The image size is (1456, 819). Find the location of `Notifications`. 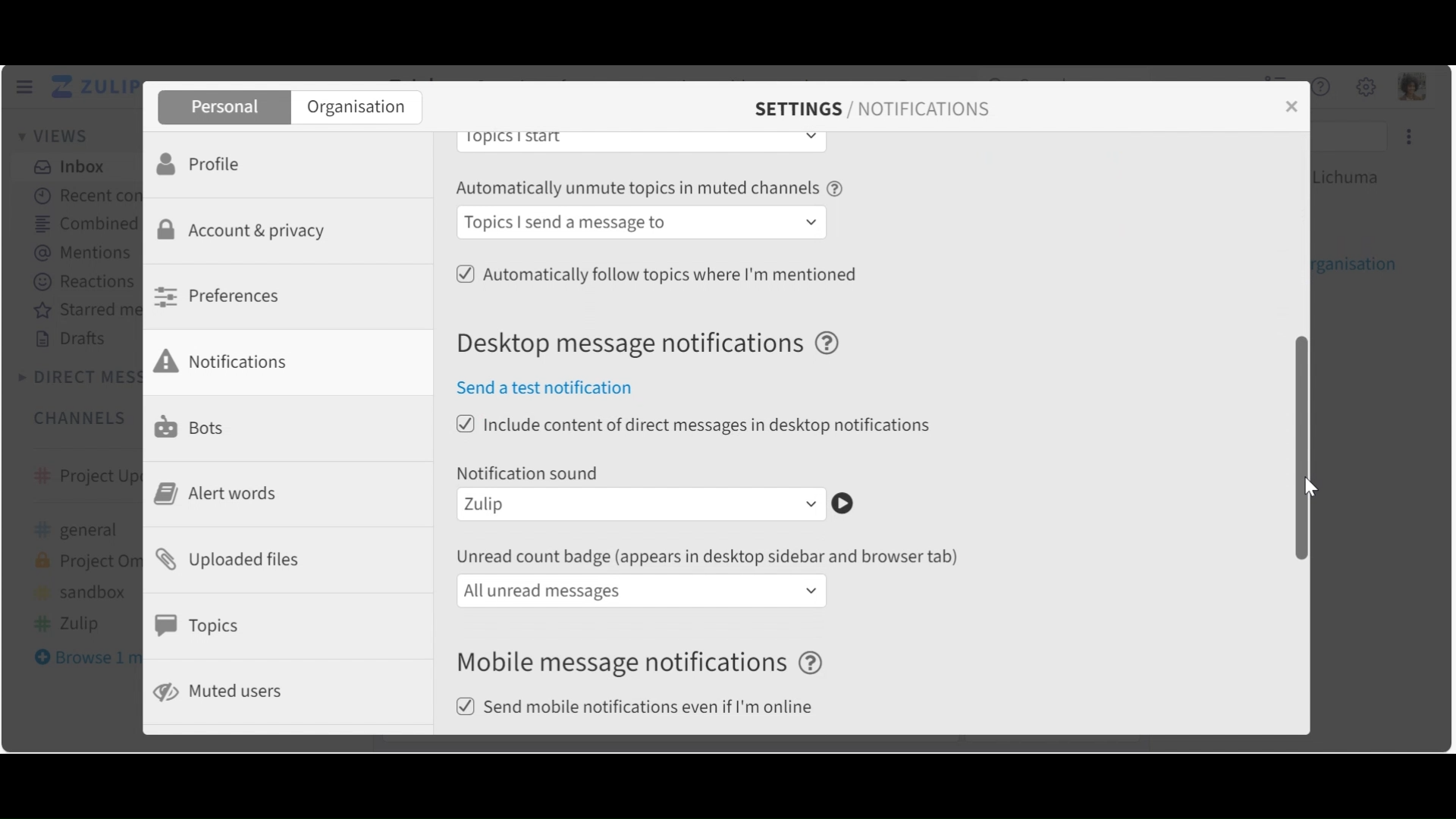

Notifications is located at coordinates (231, 361).